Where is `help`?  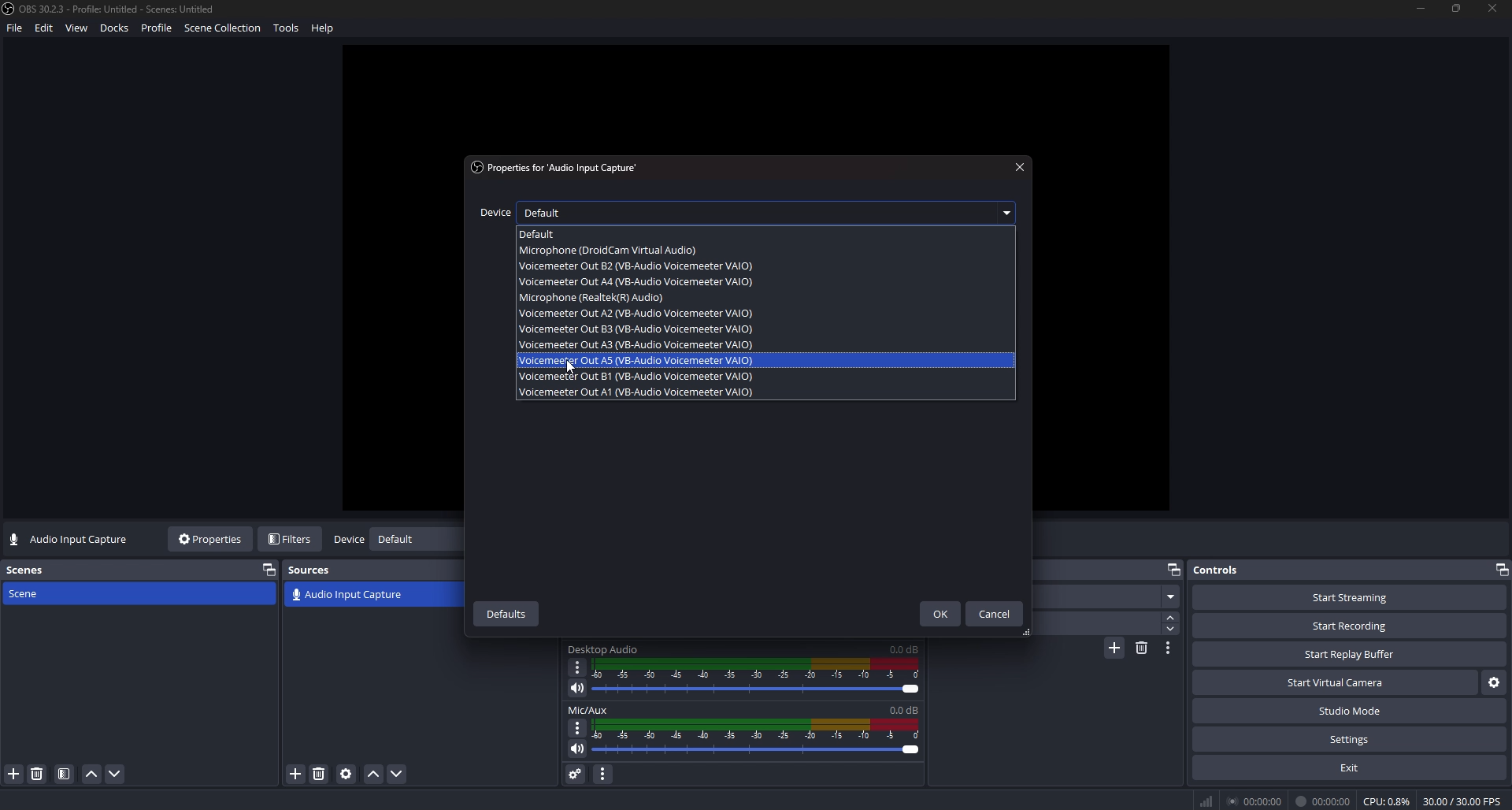 help is located at coordinates (326, 30).